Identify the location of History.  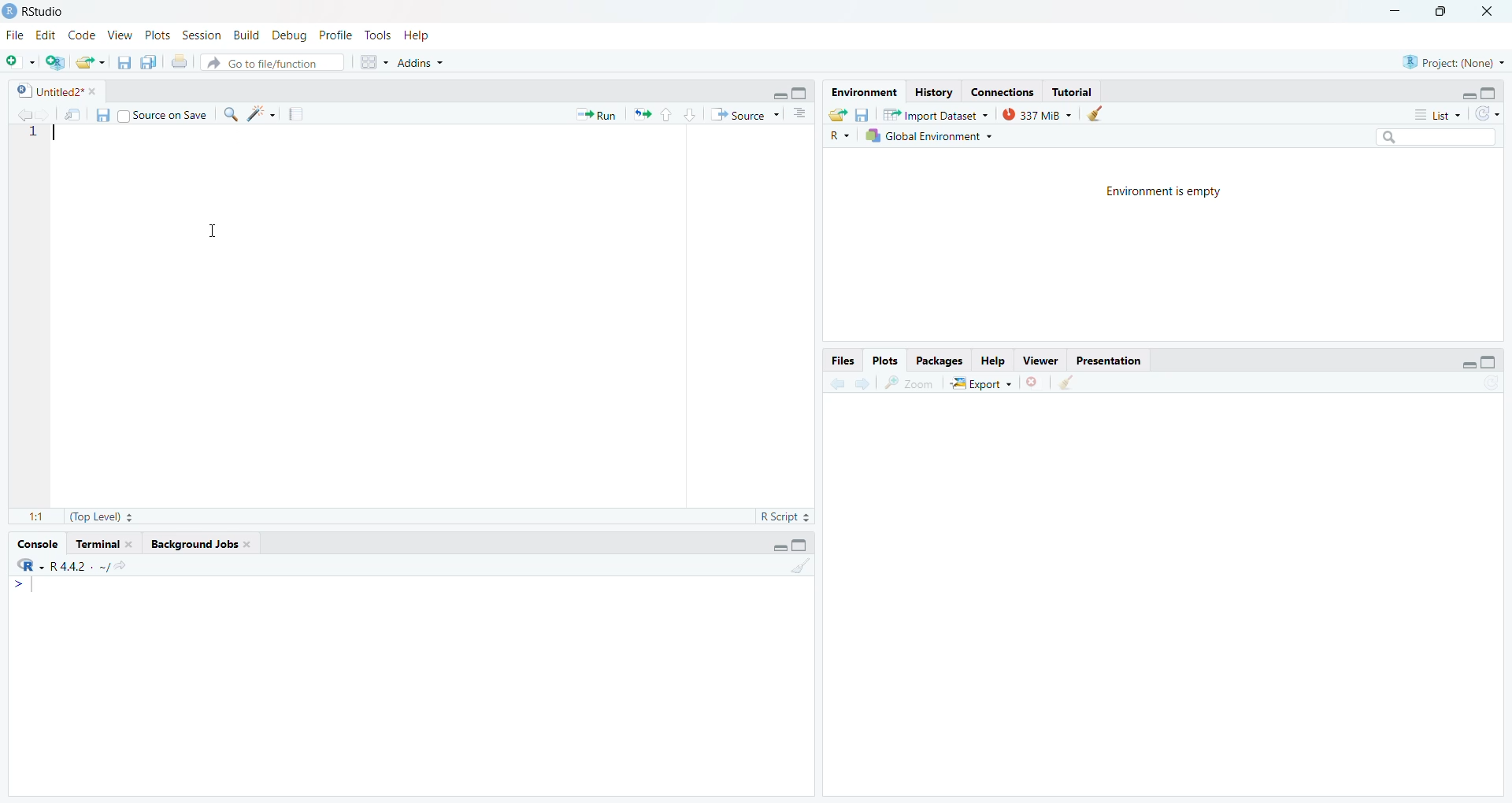
(932, 93).